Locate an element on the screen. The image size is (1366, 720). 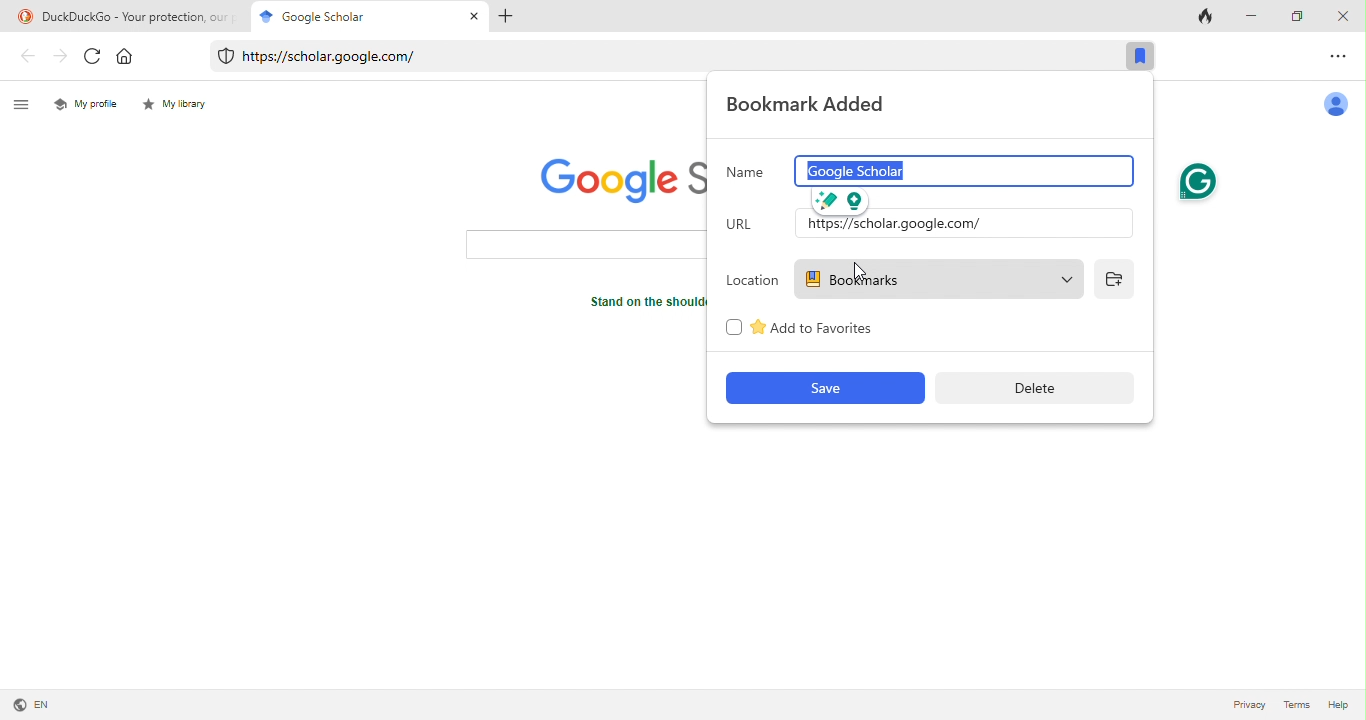
title is located at coordinates (124, 15).